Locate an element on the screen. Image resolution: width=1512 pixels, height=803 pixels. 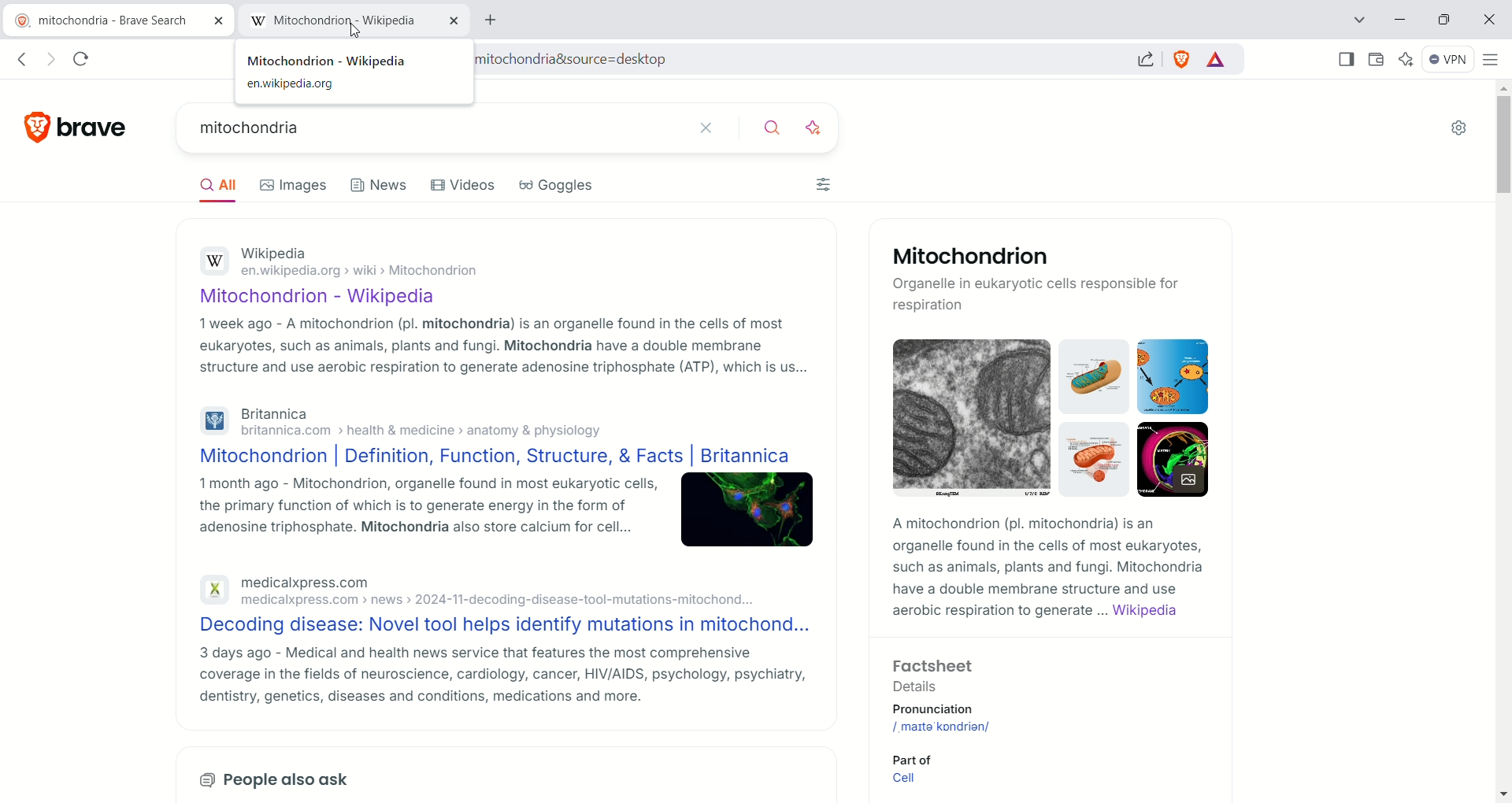
AA mitochondrion (pl. mitochondria) is an
organelle found in the cells of most eukaryotes,
such as animals, plants and fungi. Mitochondria
have a double membrane structure and use is located at coordinates (1051, 555).